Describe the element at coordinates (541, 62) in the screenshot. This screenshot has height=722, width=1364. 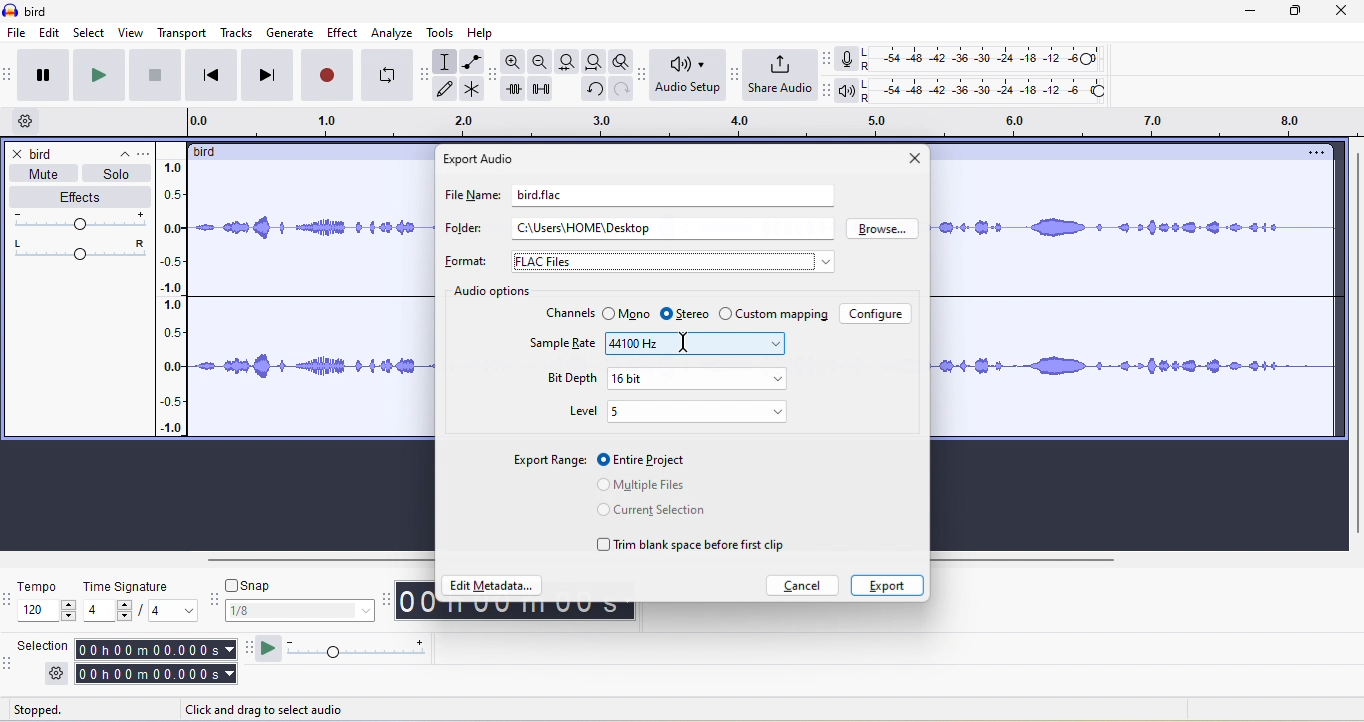
I see `zoom out` at that location.